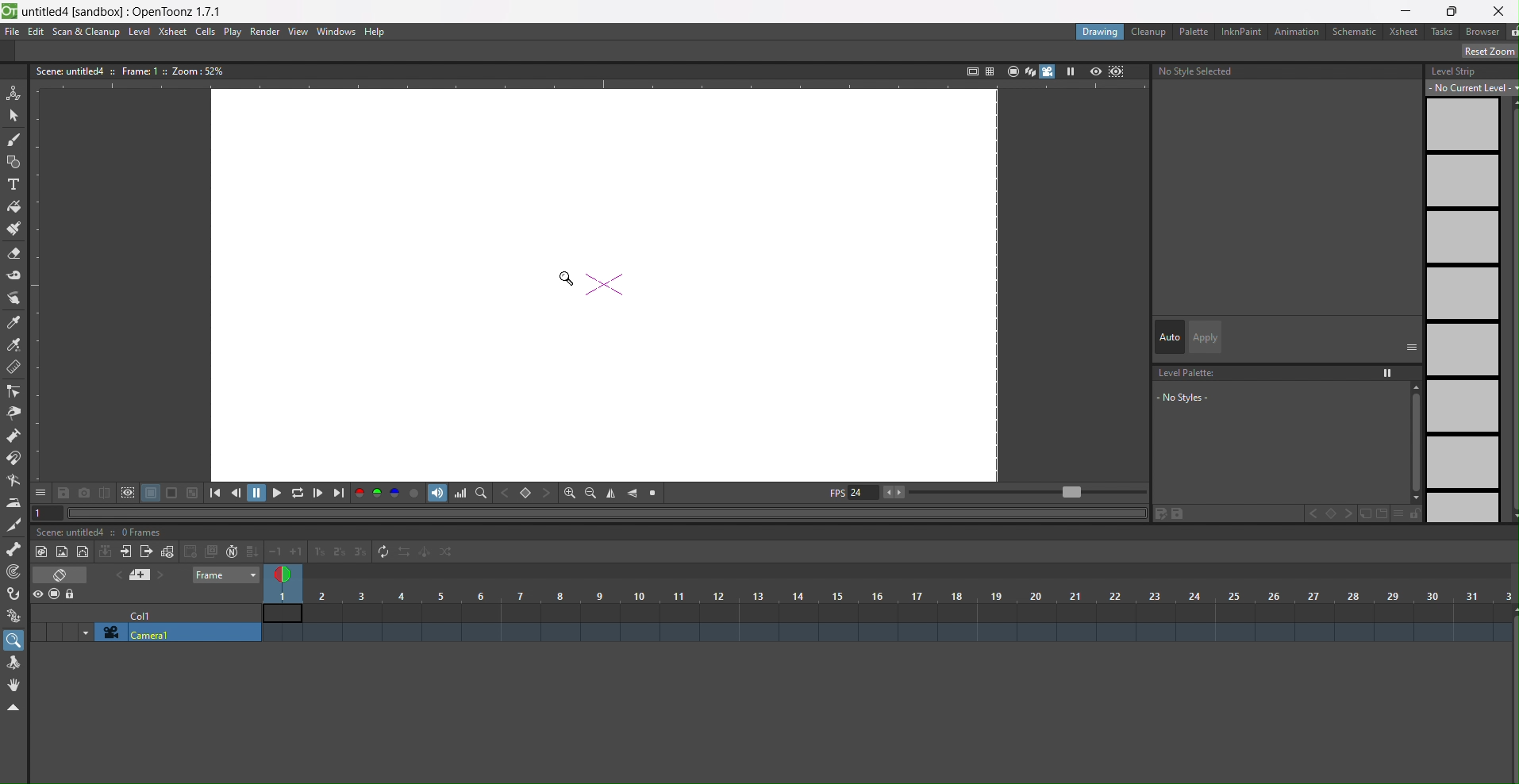 The width and height of the screenshot is (1519, 784). Describe the element at coordinates (415, 492) in the screenshot. I see `` at that location.